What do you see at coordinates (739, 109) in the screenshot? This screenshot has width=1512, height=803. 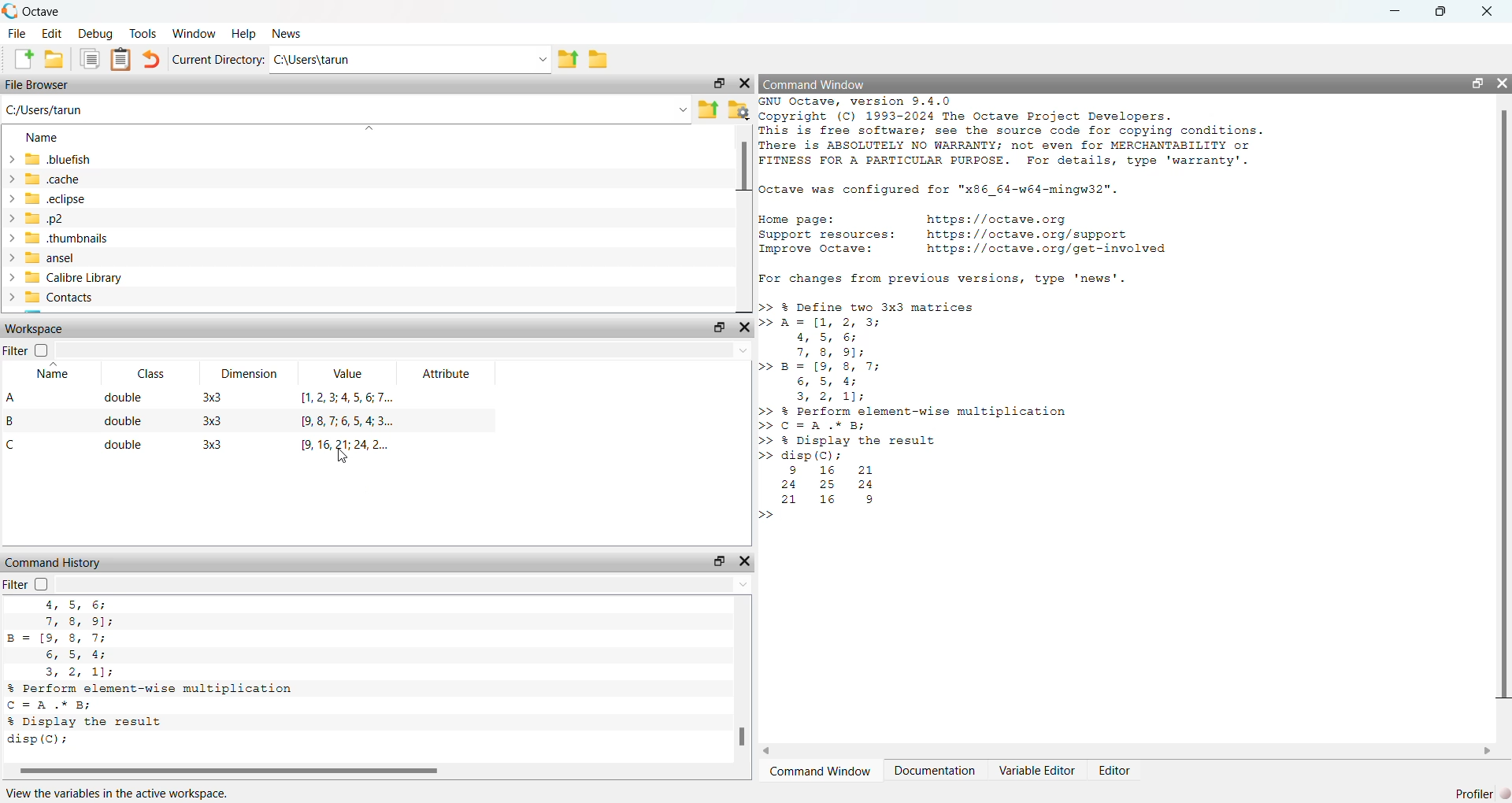 I see `Folder Settings` at bounding box center [739, 109].